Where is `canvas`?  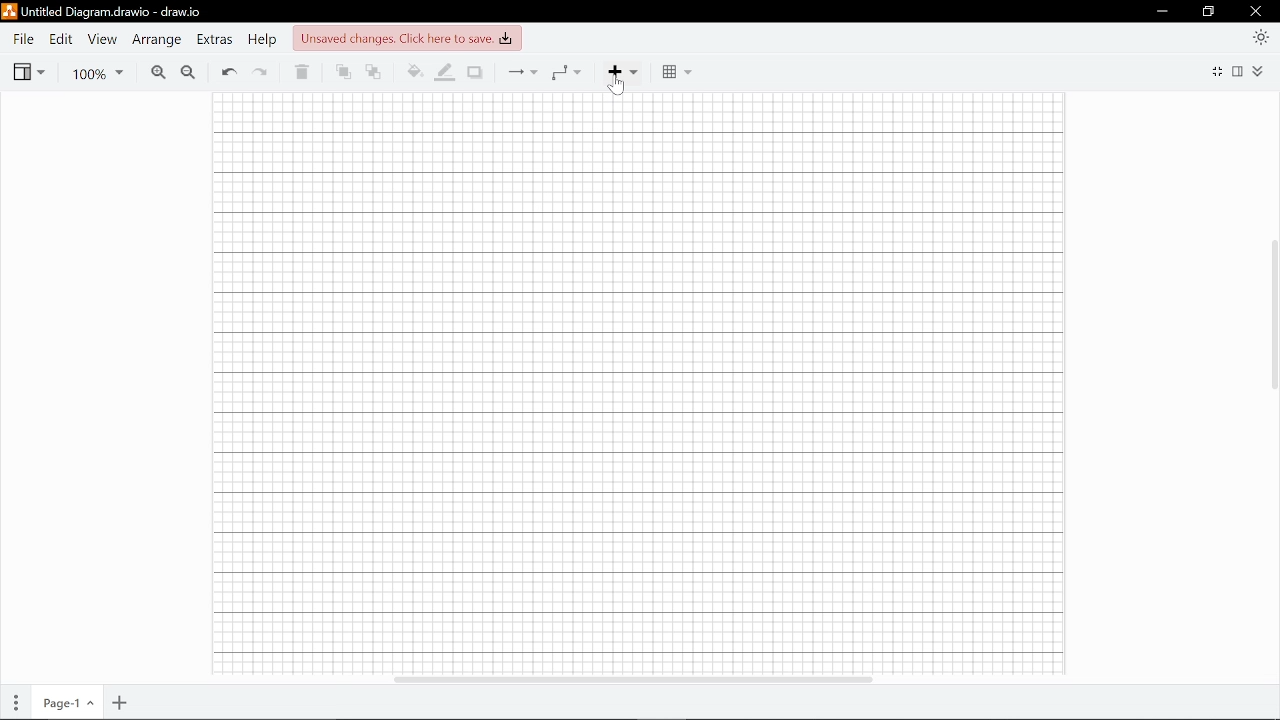 canvas is located at coordinates (639, 386).